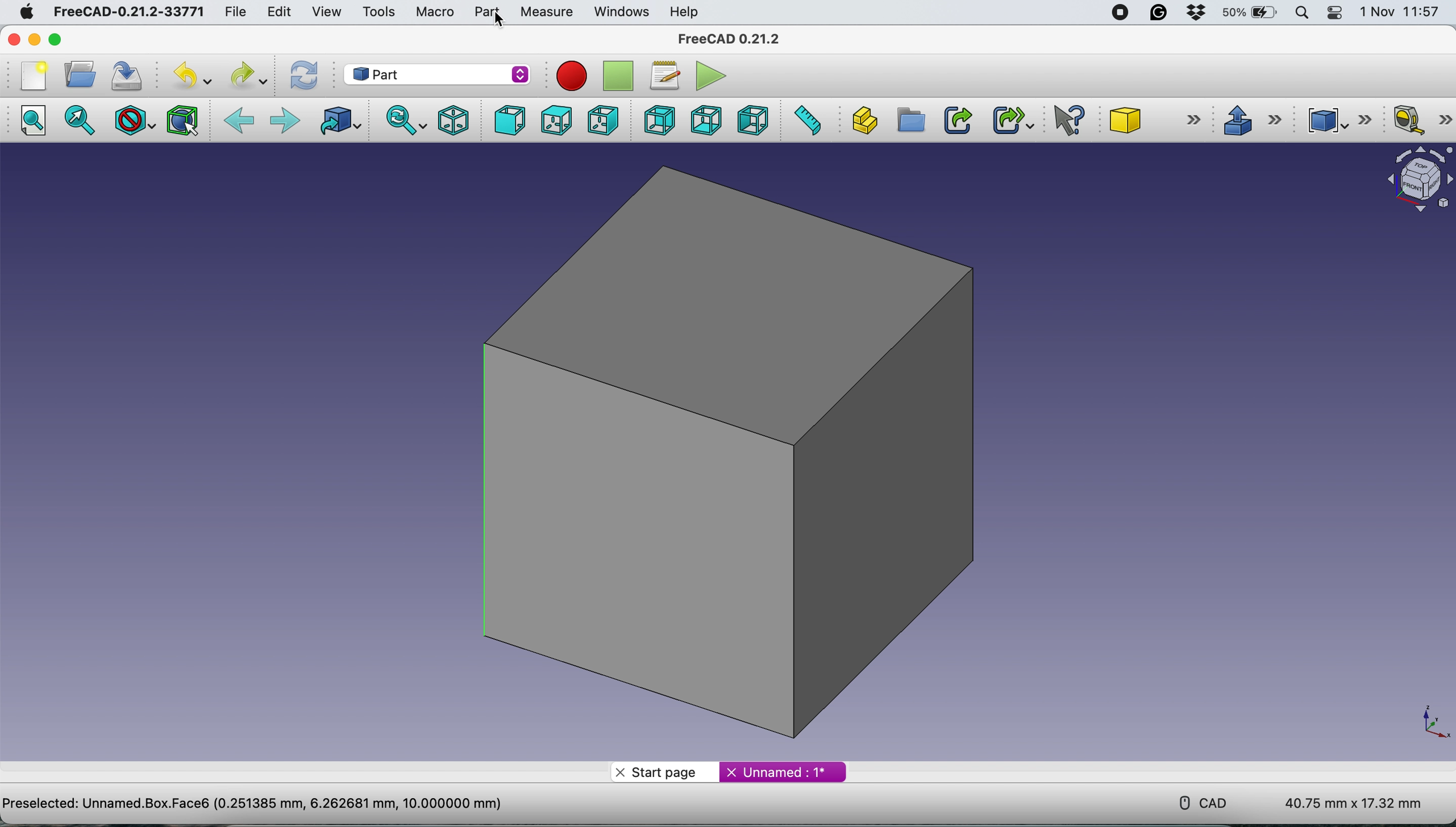 The height and width of the screenshot is (827, 1456). Describe the element at coordinates (1401, 12) in the screenshot. I see `date and time` at that location.